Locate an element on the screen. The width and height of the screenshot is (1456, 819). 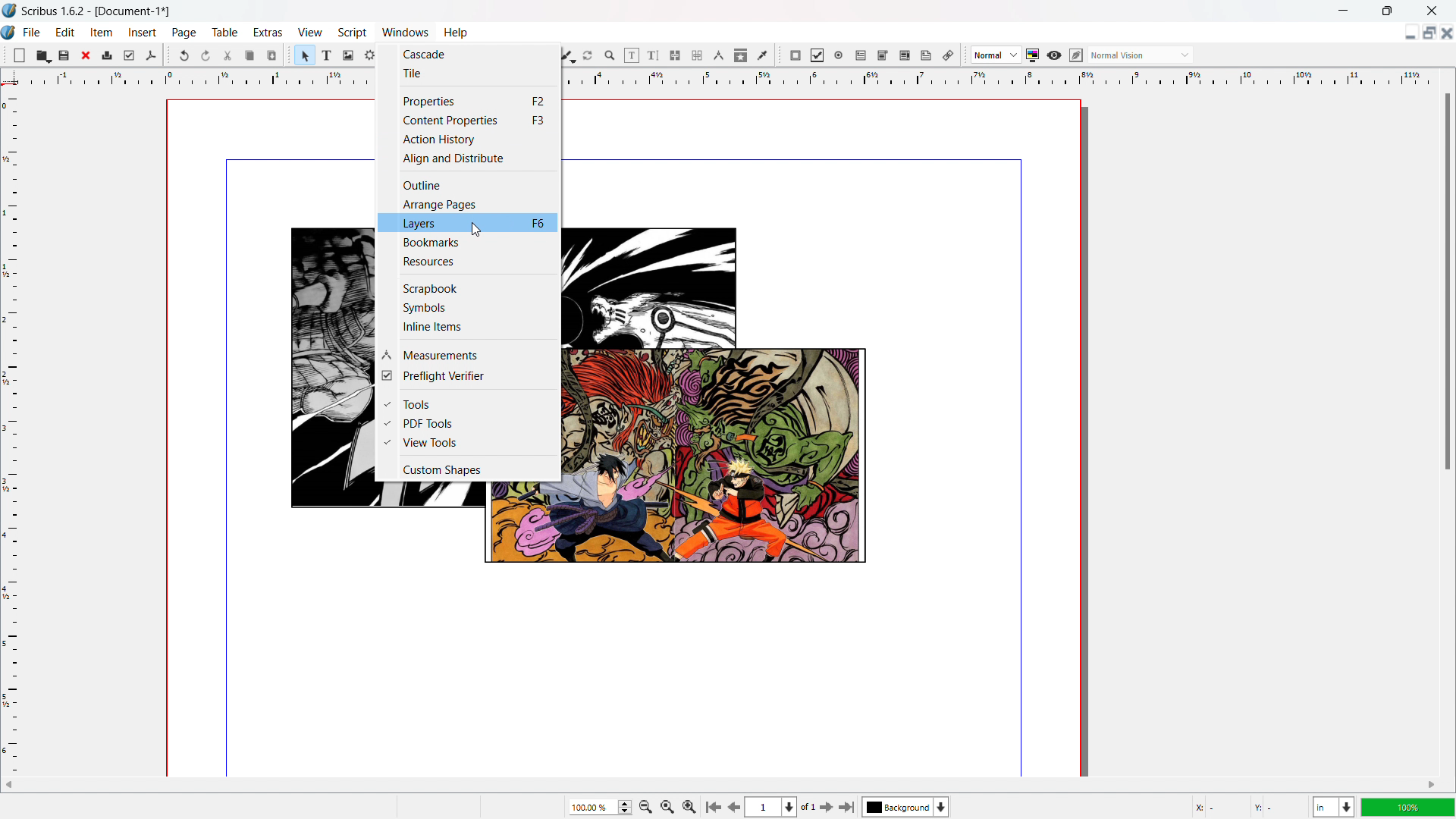
tools is located at coordinates (468, 403).